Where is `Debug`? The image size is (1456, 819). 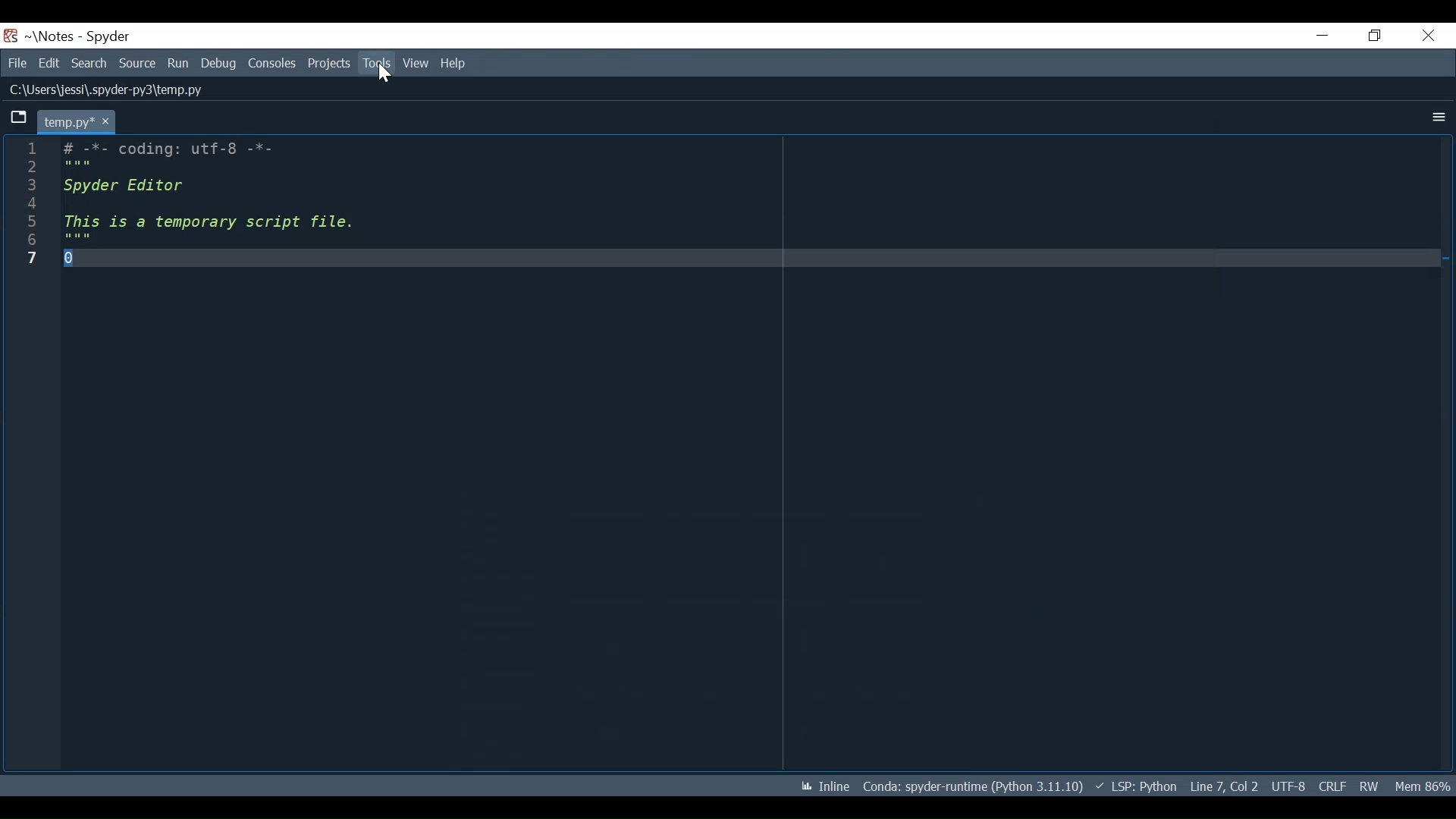
Debug is located at coordinates (218, 64).